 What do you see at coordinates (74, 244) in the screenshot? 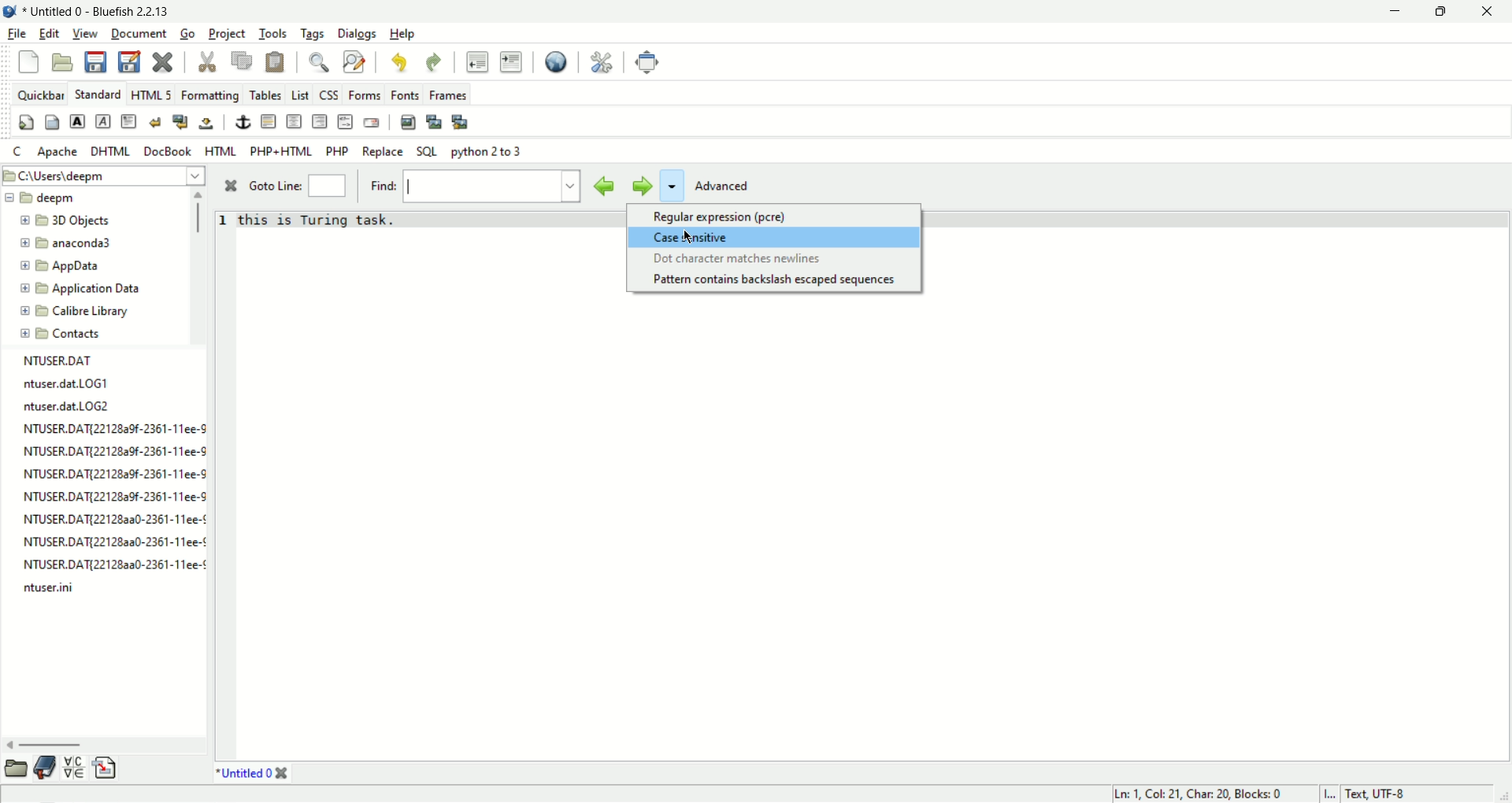
I see `anaconda3` at bounding box center [74, 244].